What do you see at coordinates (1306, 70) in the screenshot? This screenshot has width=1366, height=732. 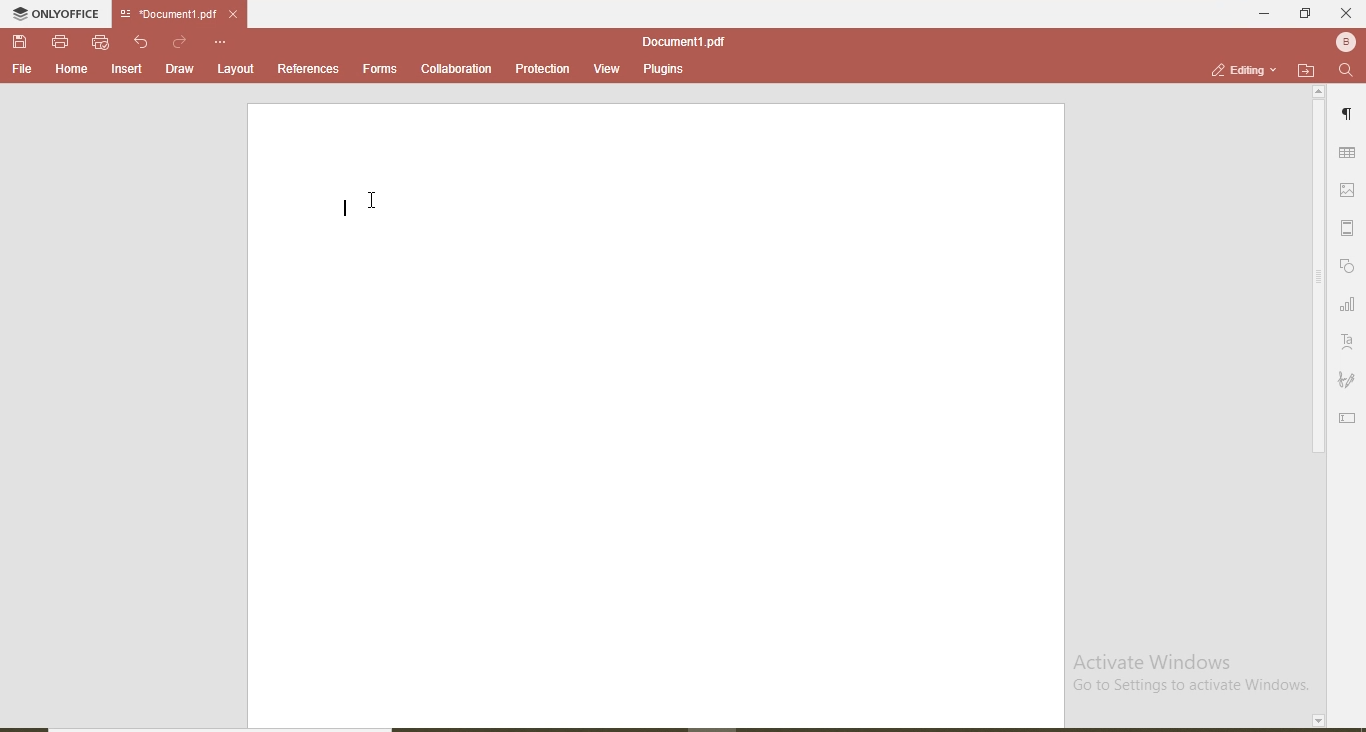 I see `open file location` at bounding box center [1306, 70].